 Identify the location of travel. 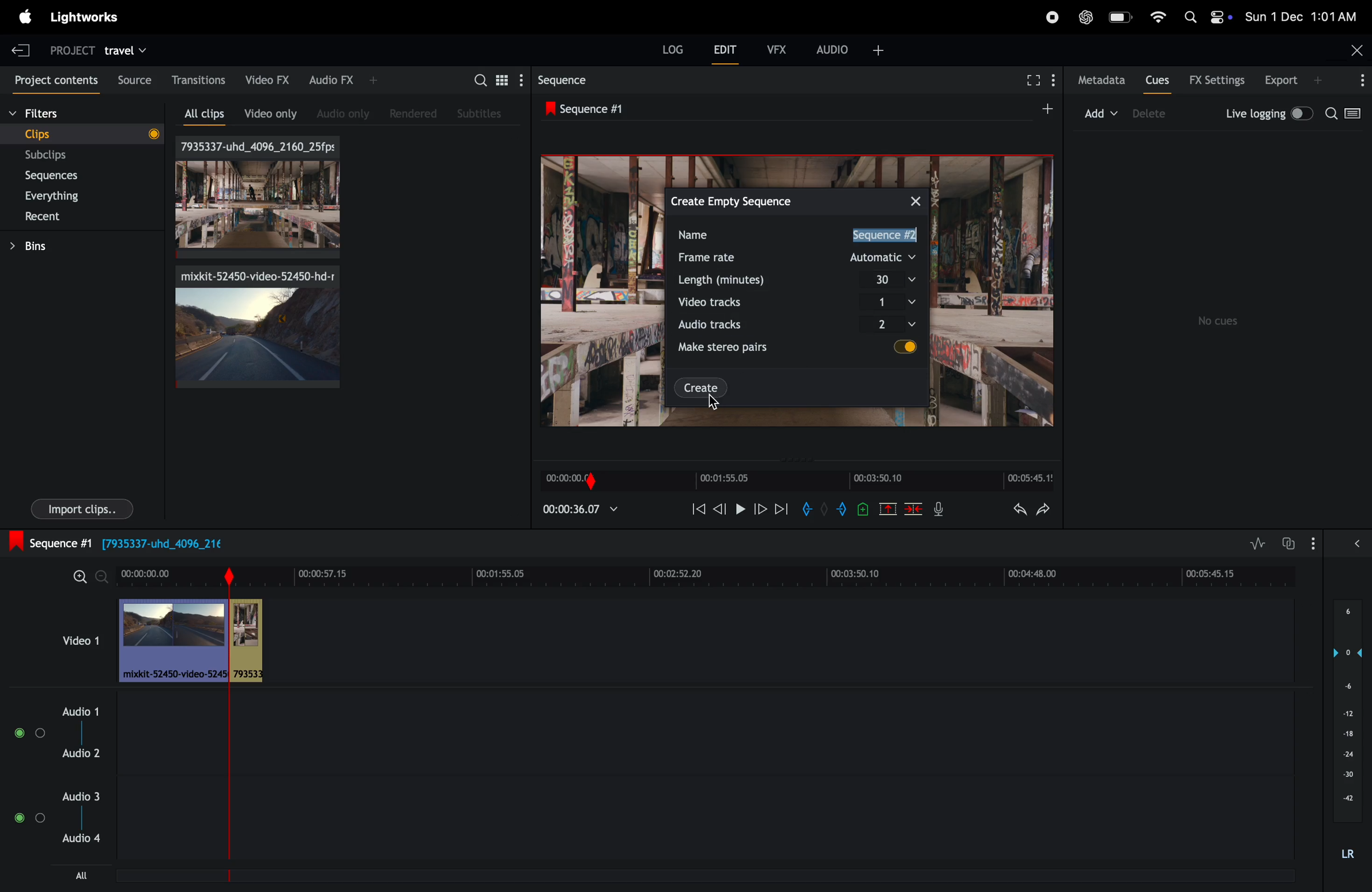
(126, 48).